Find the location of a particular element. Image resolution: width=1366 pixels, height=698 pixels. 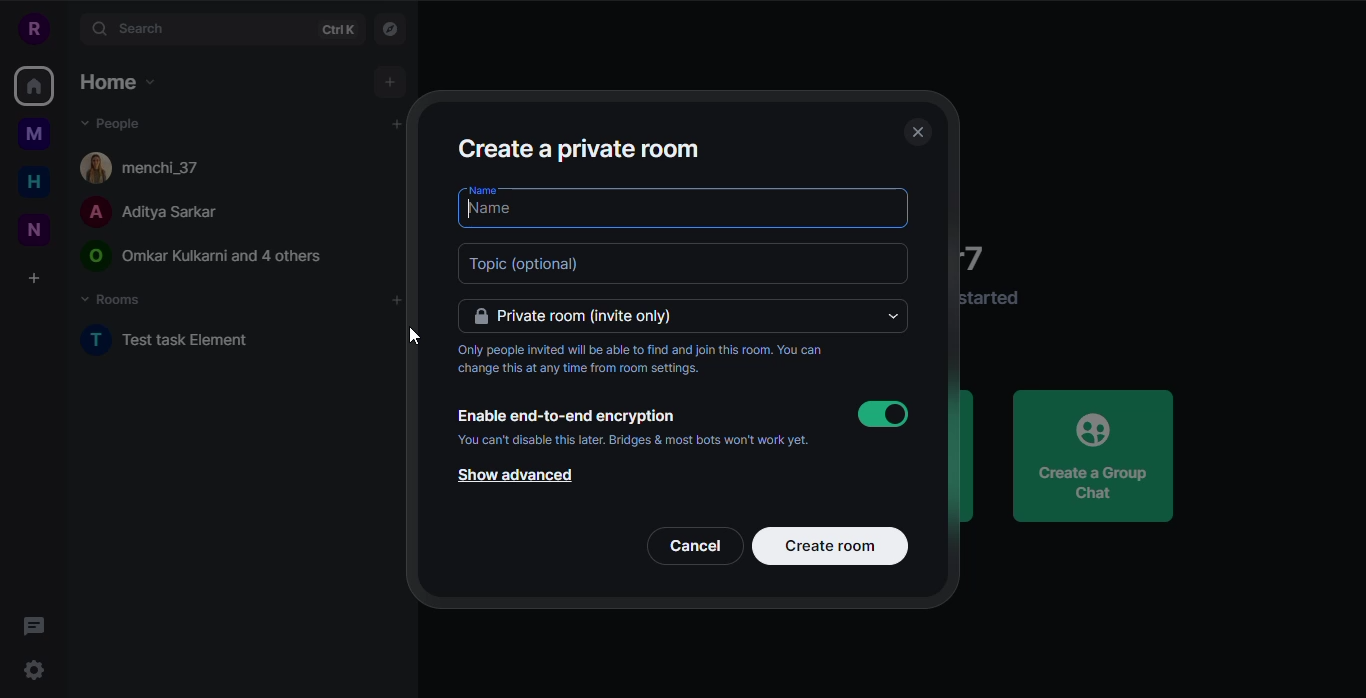

rooms is located at coordinates (113, 300).